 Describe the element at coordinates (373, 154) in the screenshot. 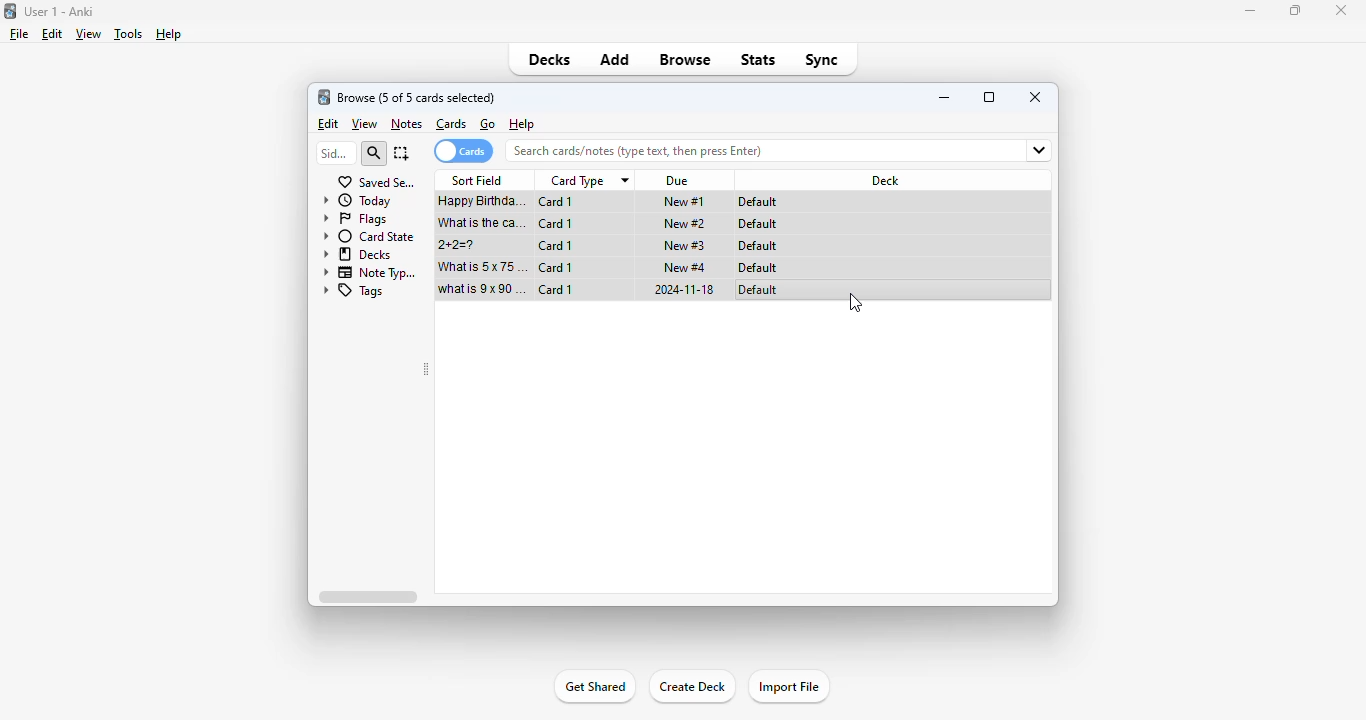

I see `search` at that location.